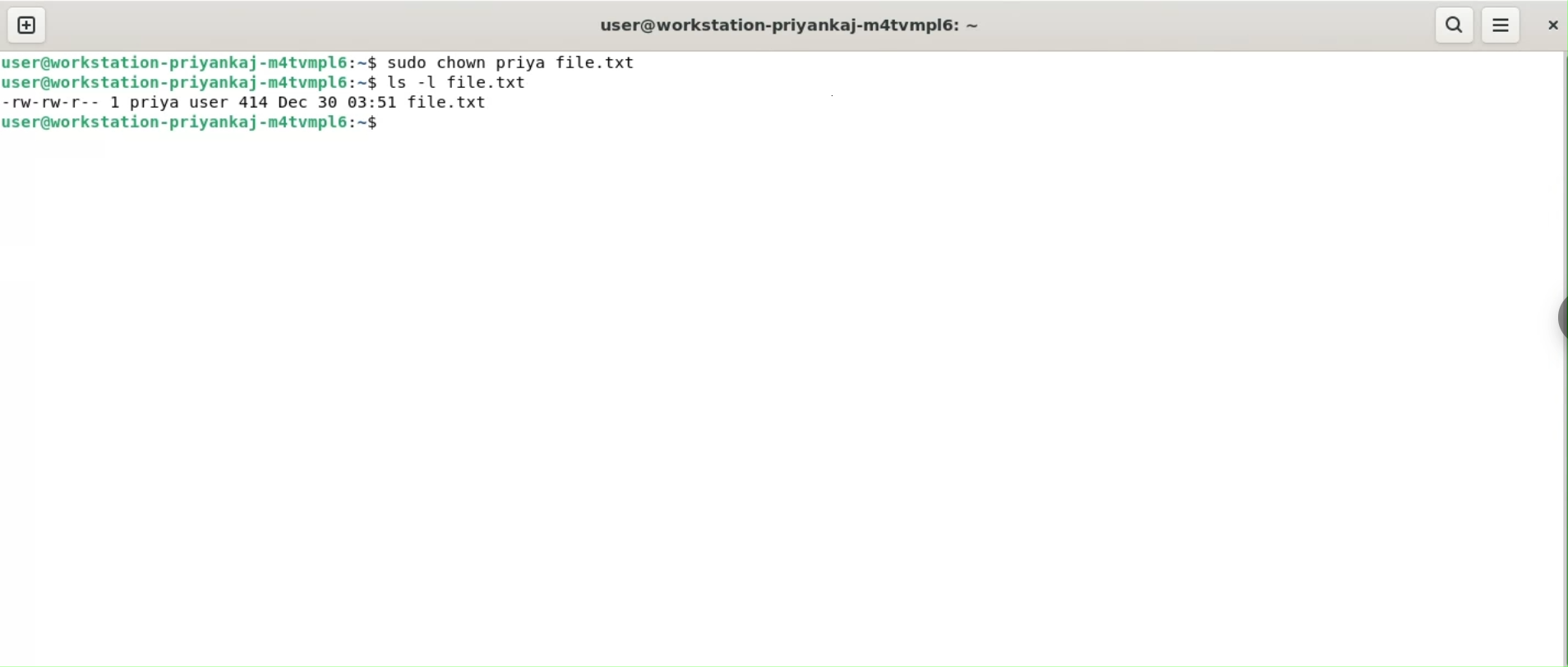  I want to click on new tab, so click(27, 26).